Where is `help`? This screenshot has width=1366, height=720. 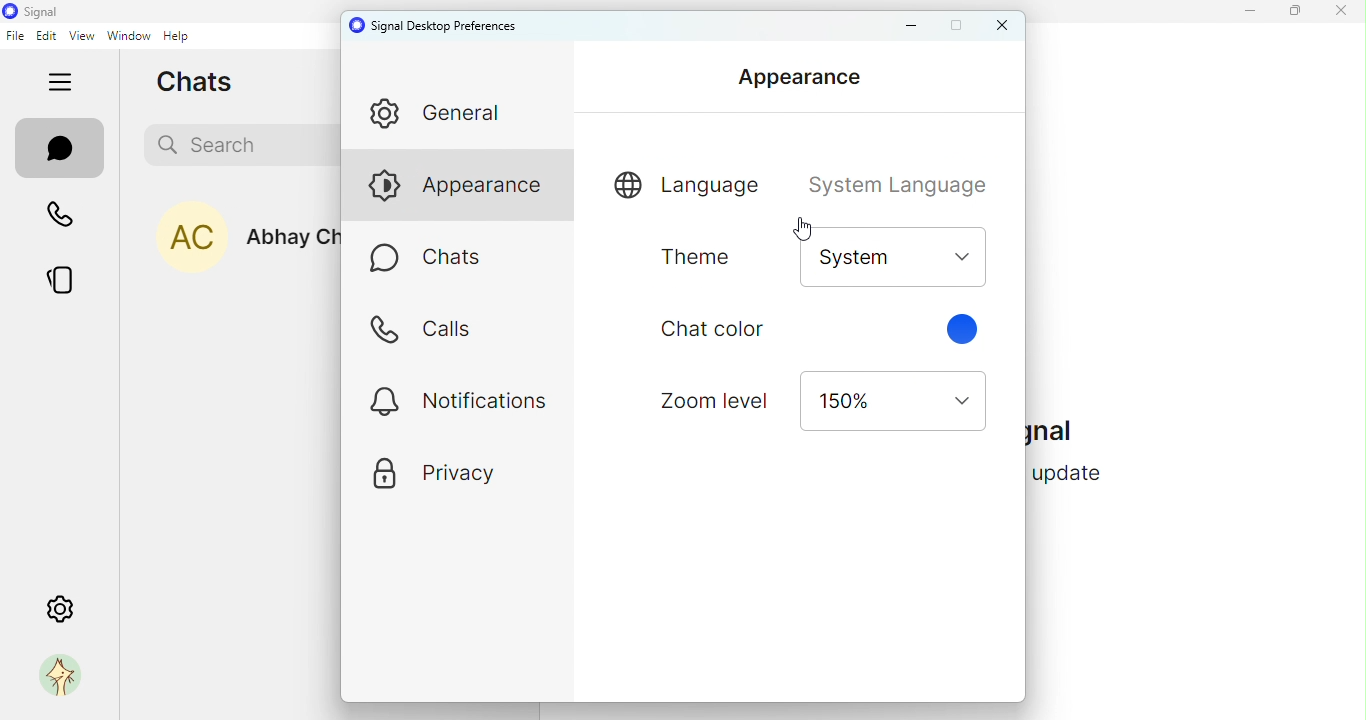
help is located at coordinates (177, 40).